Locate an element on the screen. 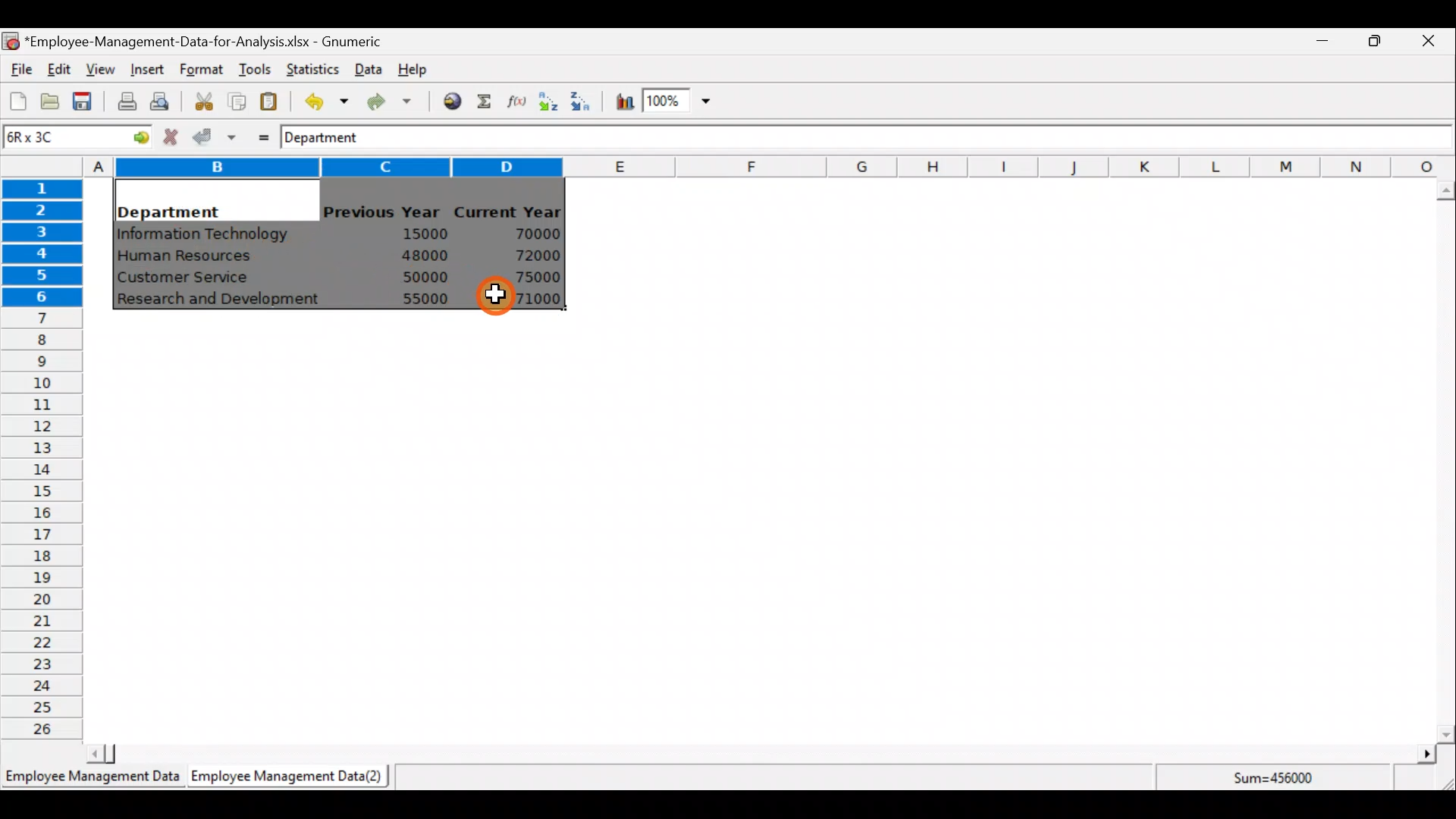  go to is located at coordinates (135, 135).